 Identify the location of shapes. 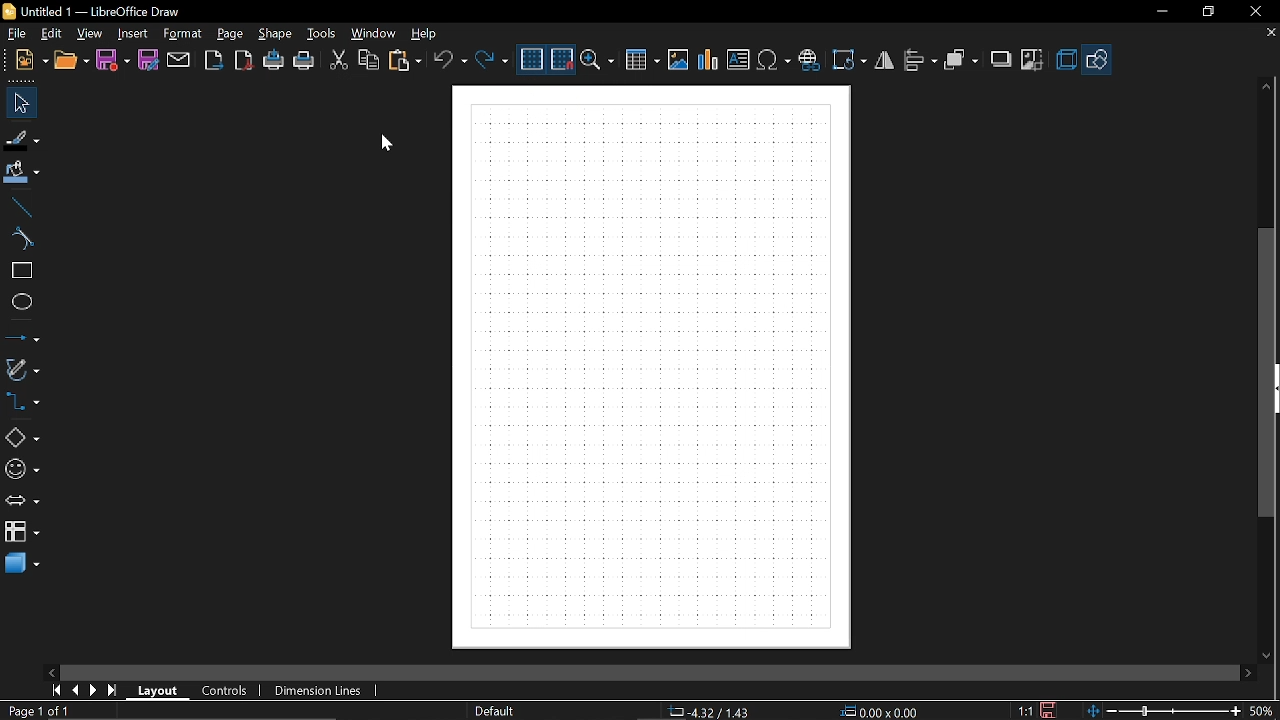
(20, 439).